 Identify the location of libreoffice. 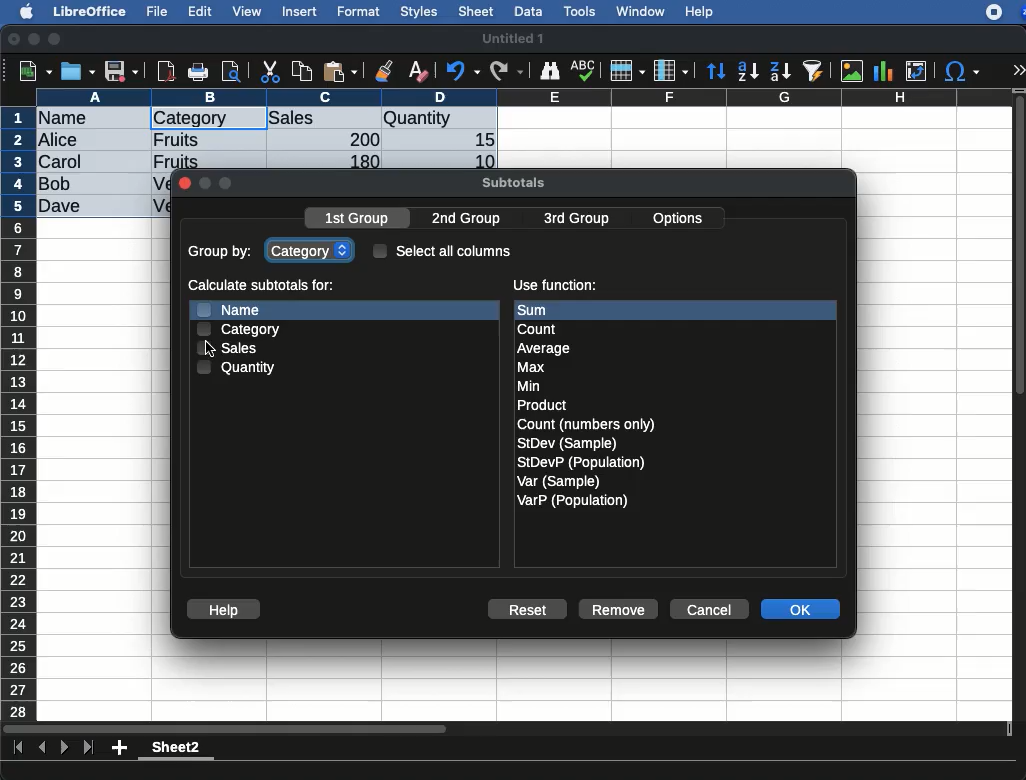
(91, 11).